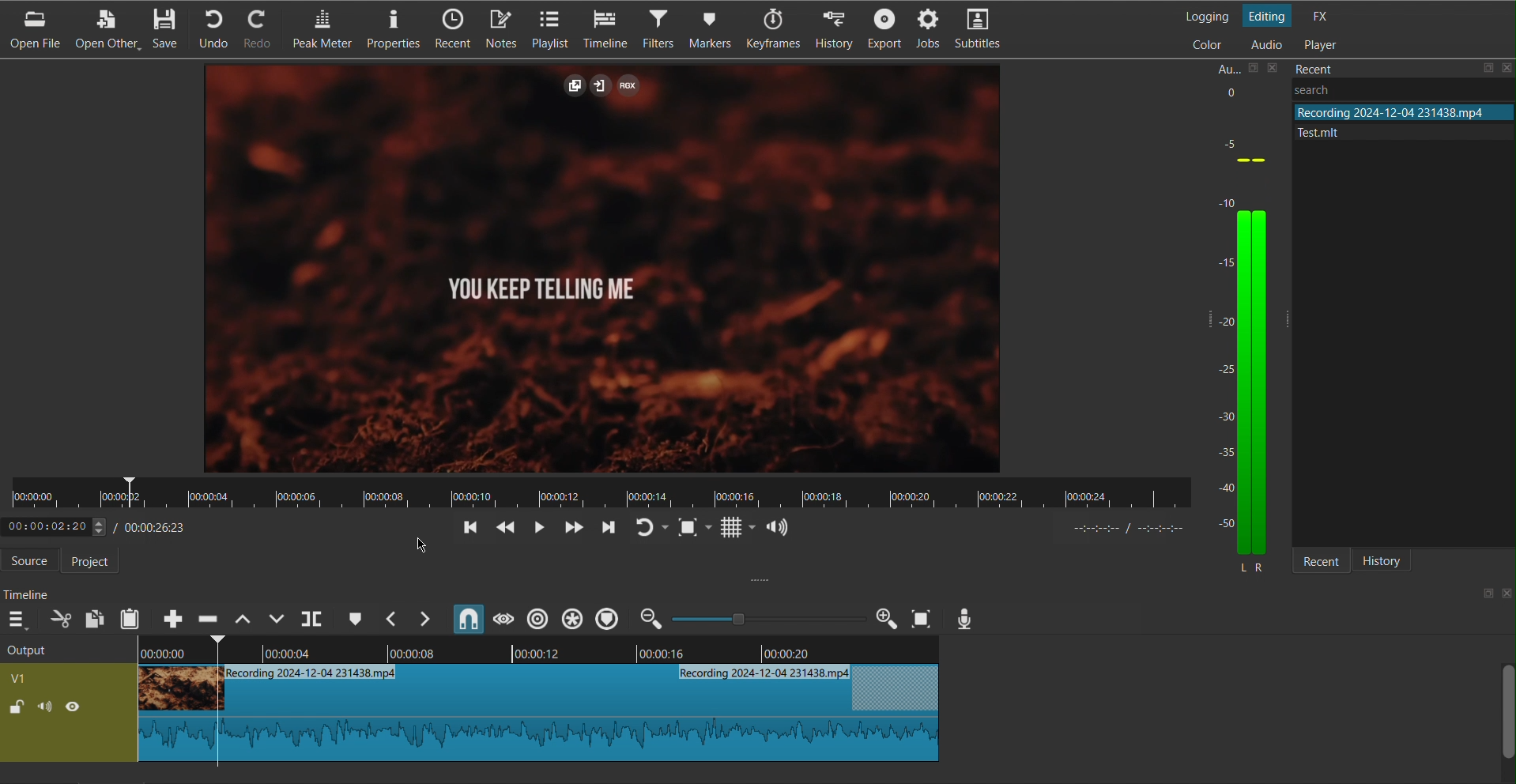 This screenshot has height=784, width=1516. What do you see at coordinates (217, 28) in the screenshot?
I see `Undo` at bounding box center [217, 28].